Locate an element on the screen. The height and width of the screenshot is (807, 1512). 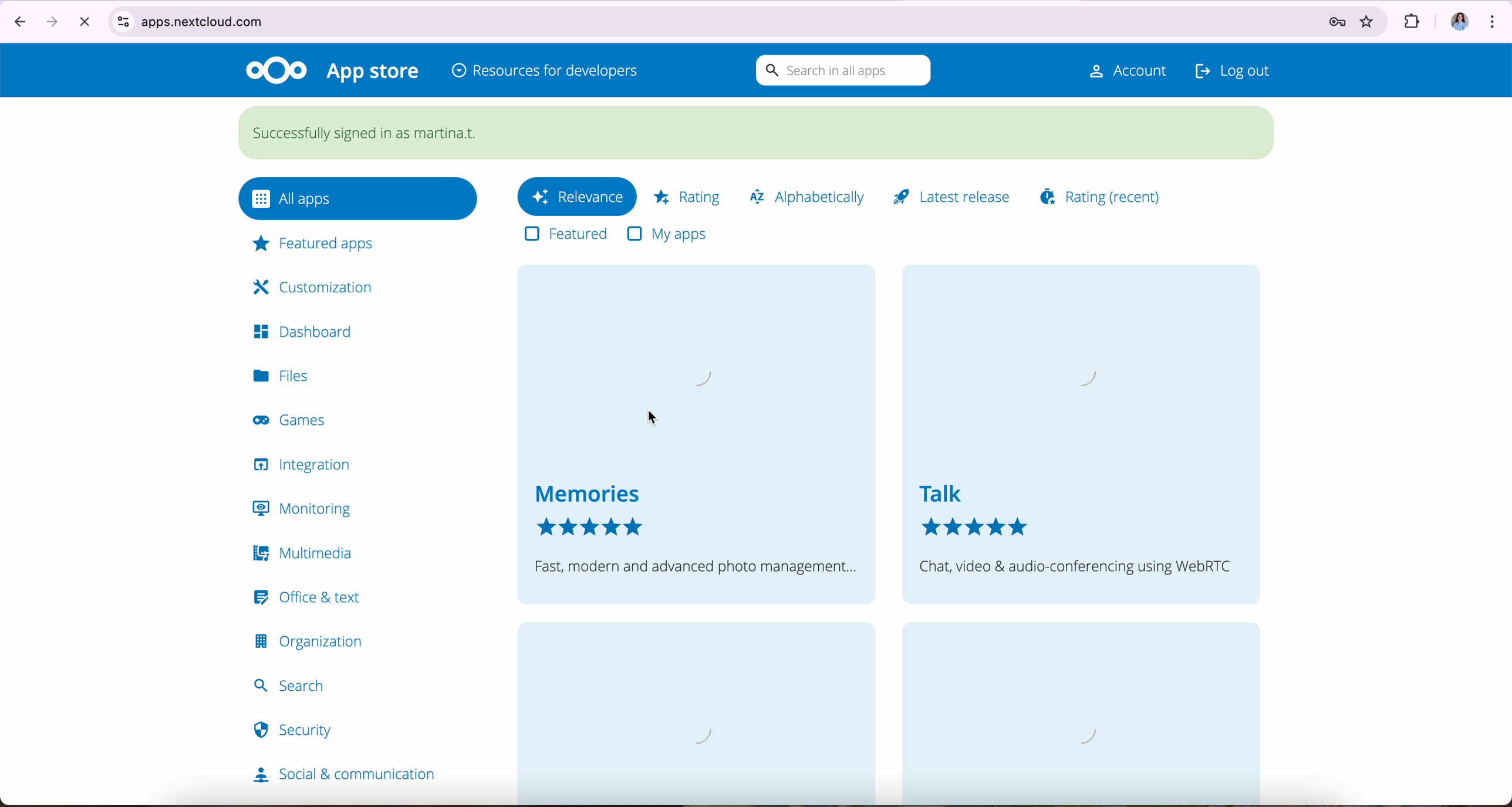
search is located at coordinates (296, 683).